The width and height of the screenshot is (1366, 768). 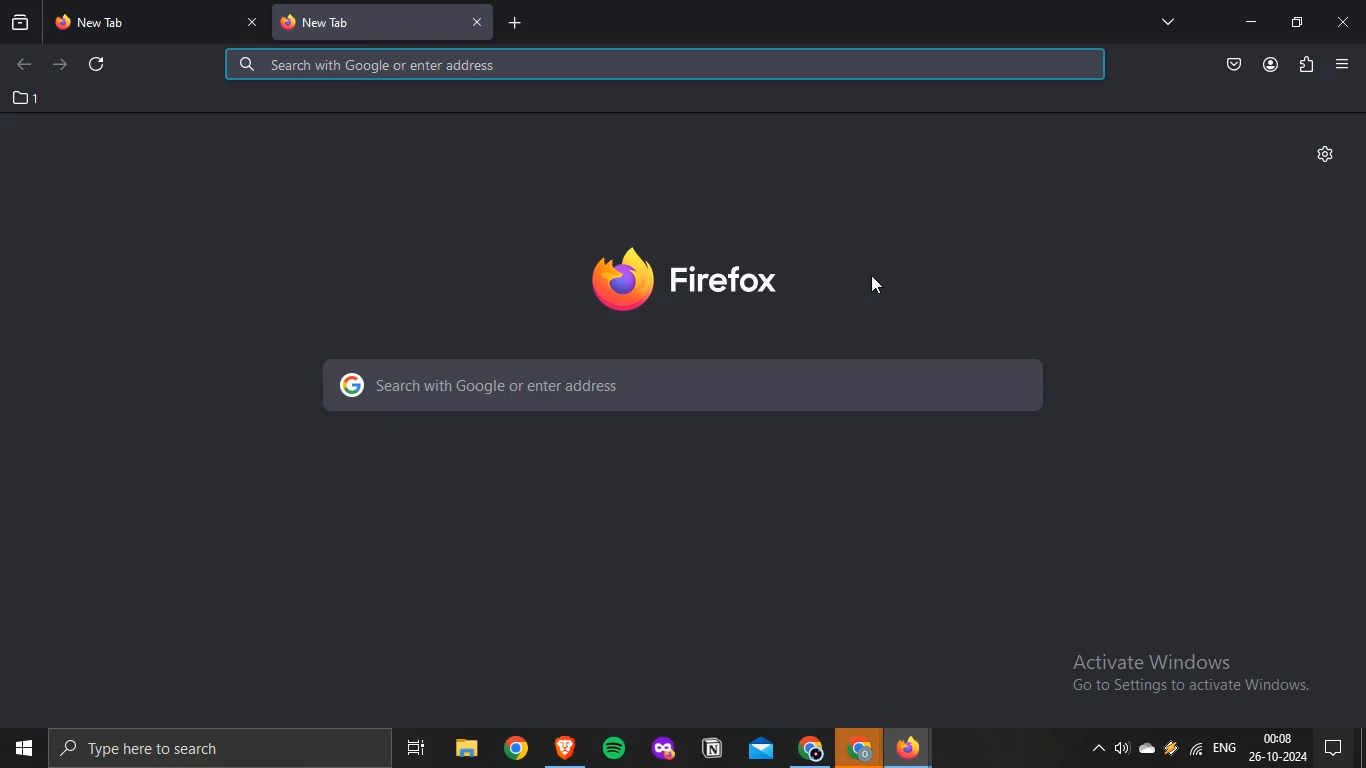 What do you see at coordinates (1307, 66) in the screenshot?
I see `extensions` at bounding box center [1307, 66].